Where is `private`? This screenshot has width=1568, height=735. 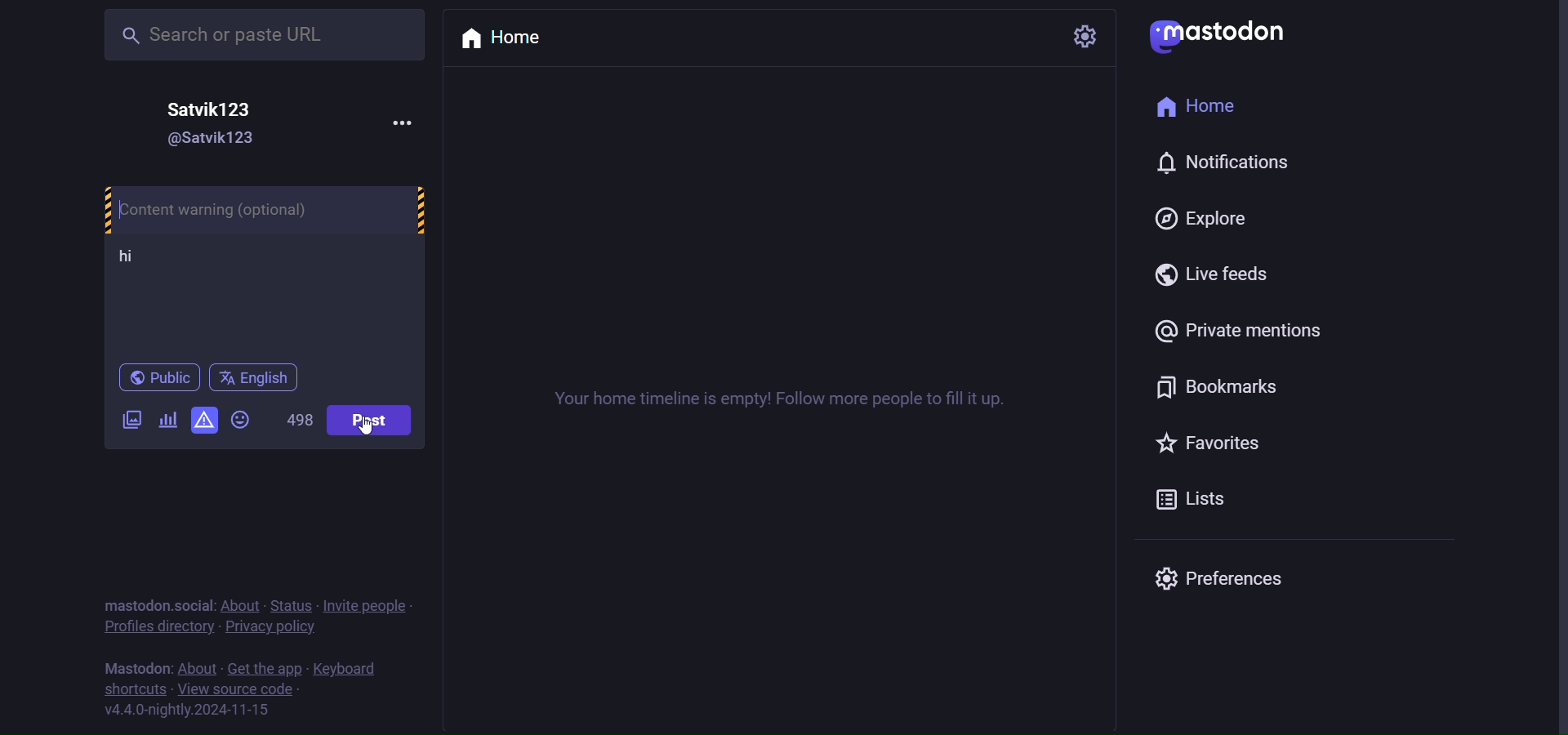
private is located at coordinates (1247, 332).